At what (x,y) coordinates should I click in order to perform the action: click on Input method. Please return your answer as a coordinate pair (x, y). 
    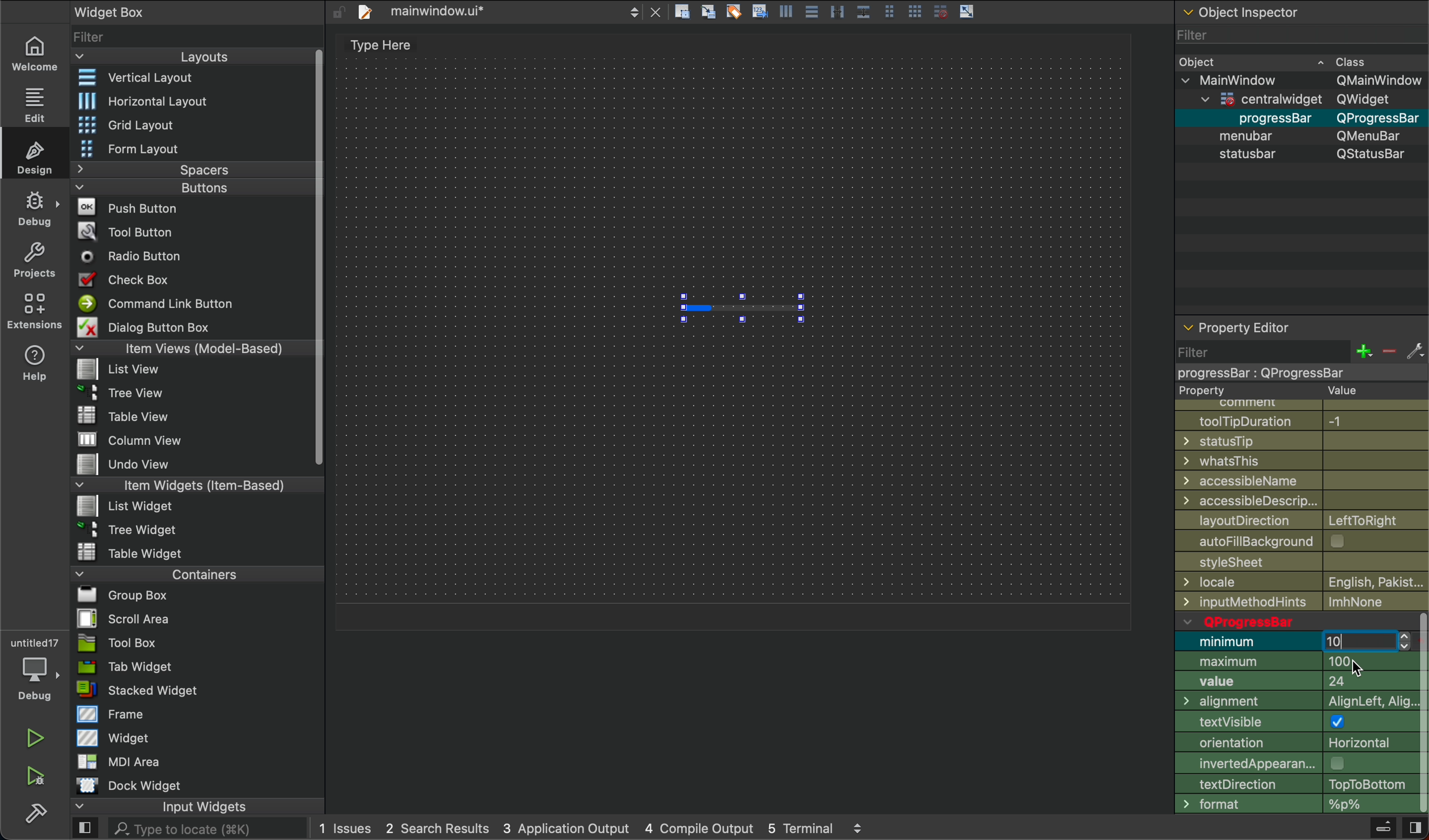
    Looking at the image, I should click on (1304, 602).